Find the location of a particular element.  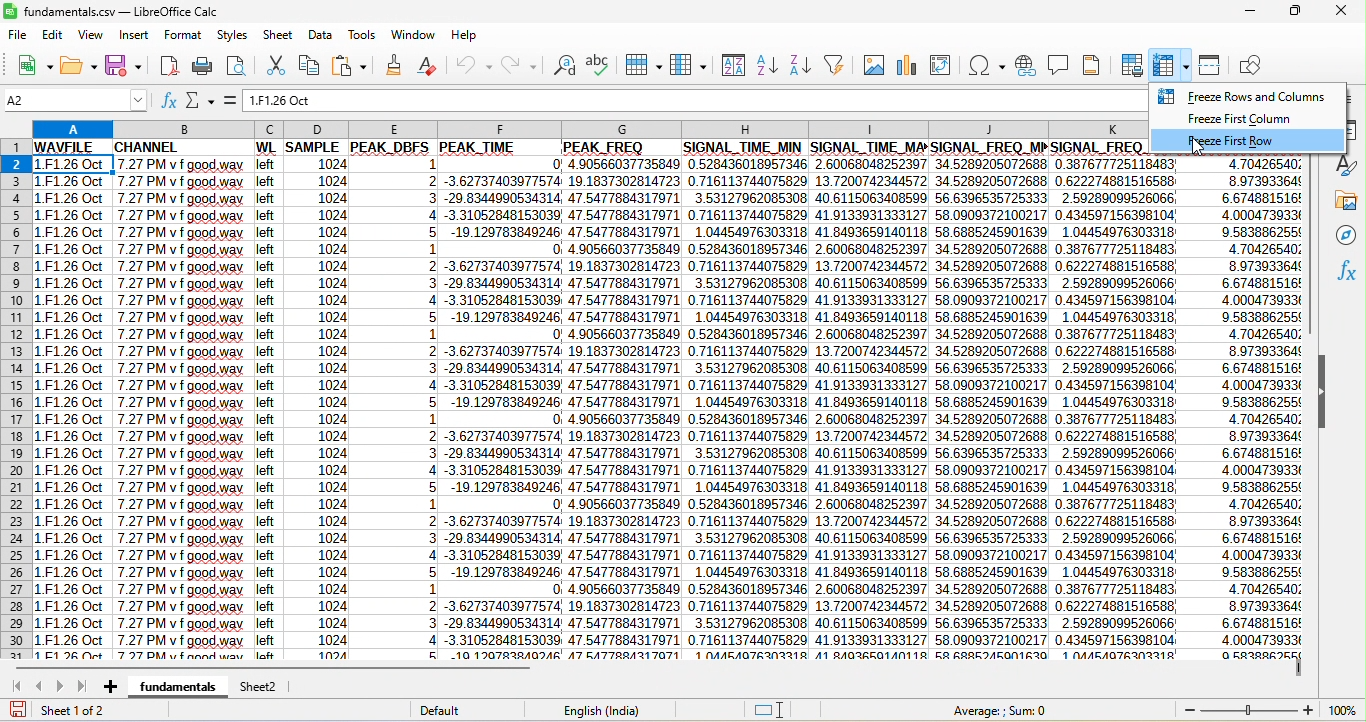

mimimize is located at coordinates (1250, 13).